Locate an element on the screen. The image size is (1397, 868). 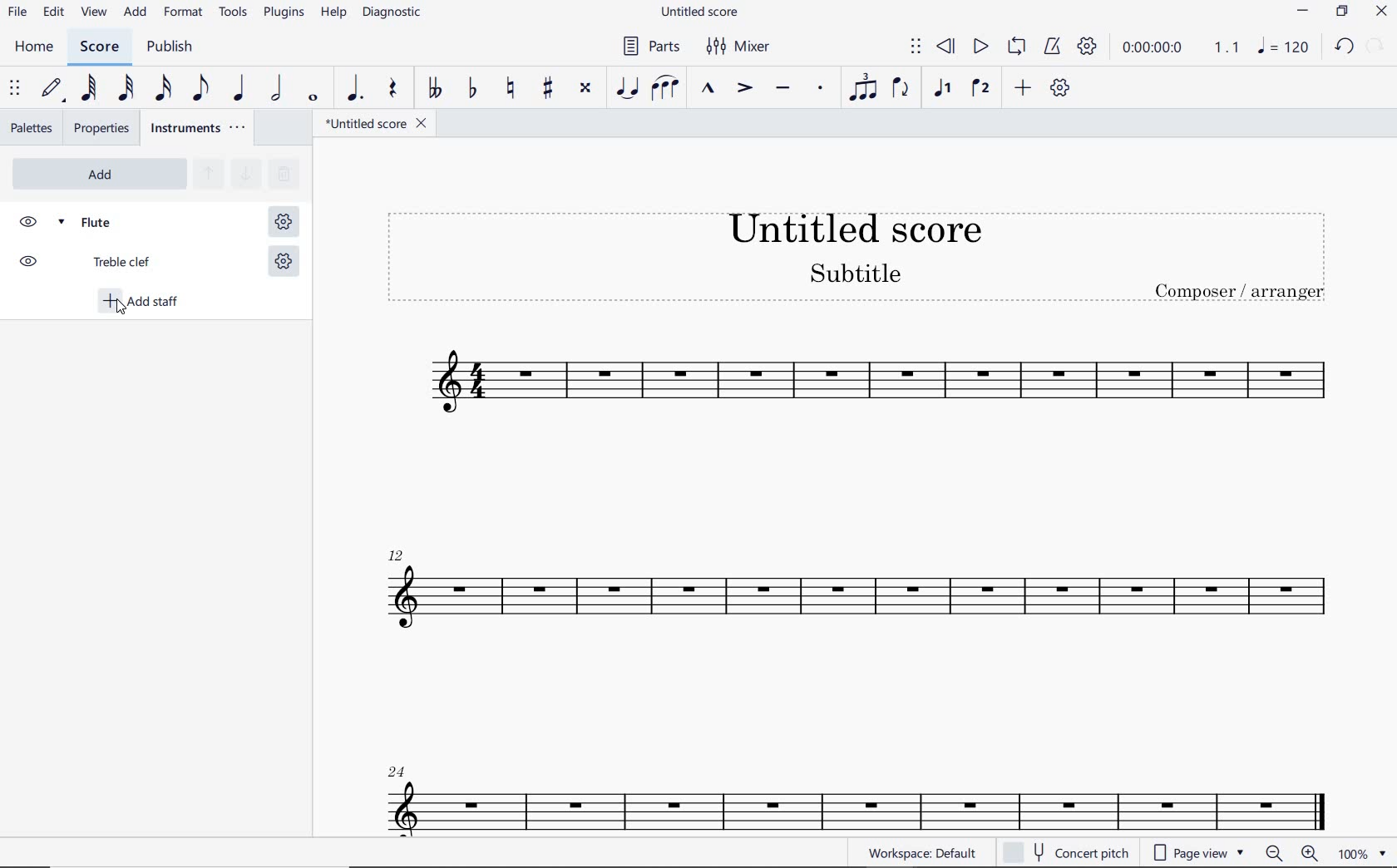
HELP is located at coordinates (334, 15).